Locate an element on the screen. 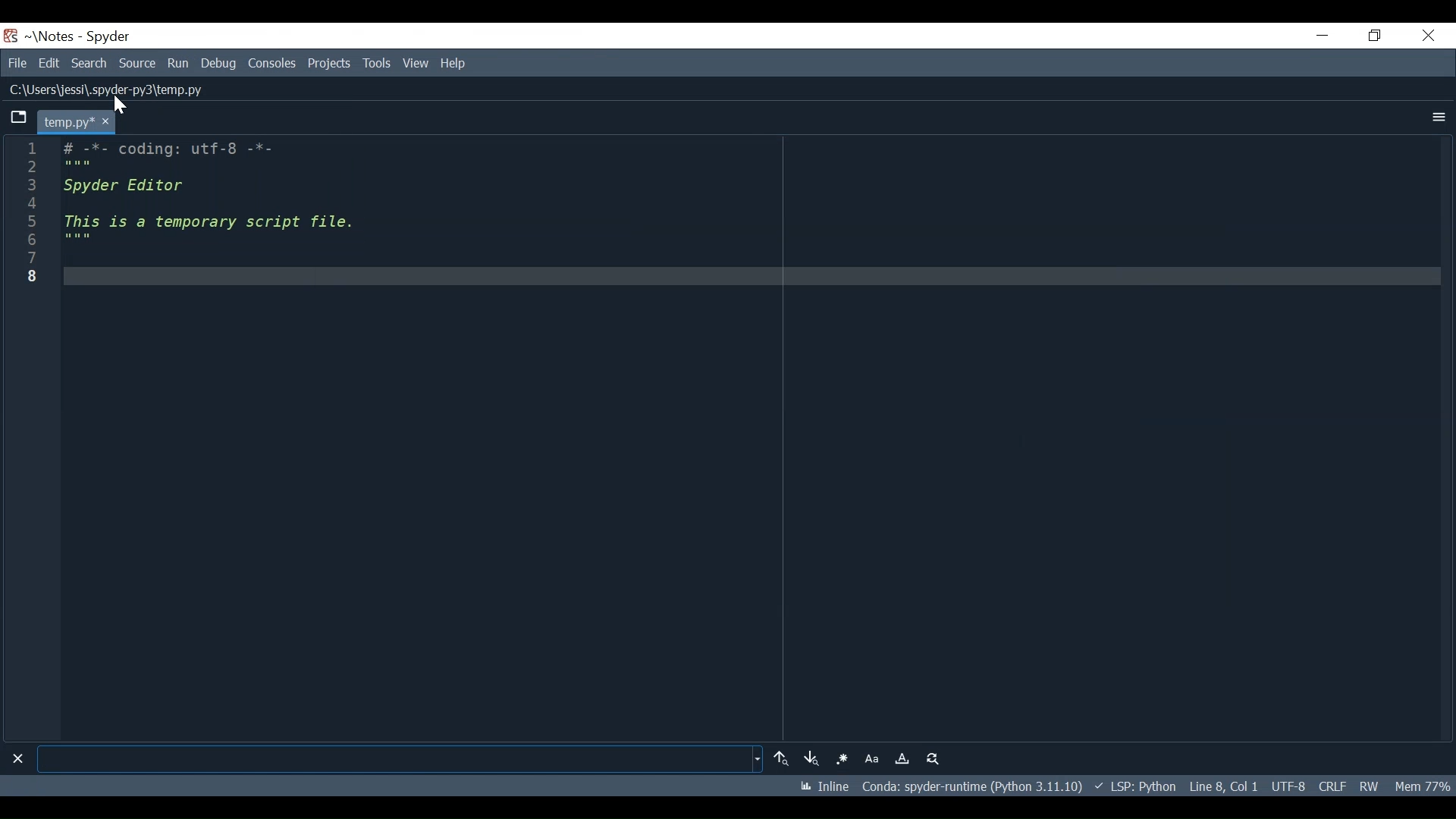  Find Text is located at coordinates (402, 759).